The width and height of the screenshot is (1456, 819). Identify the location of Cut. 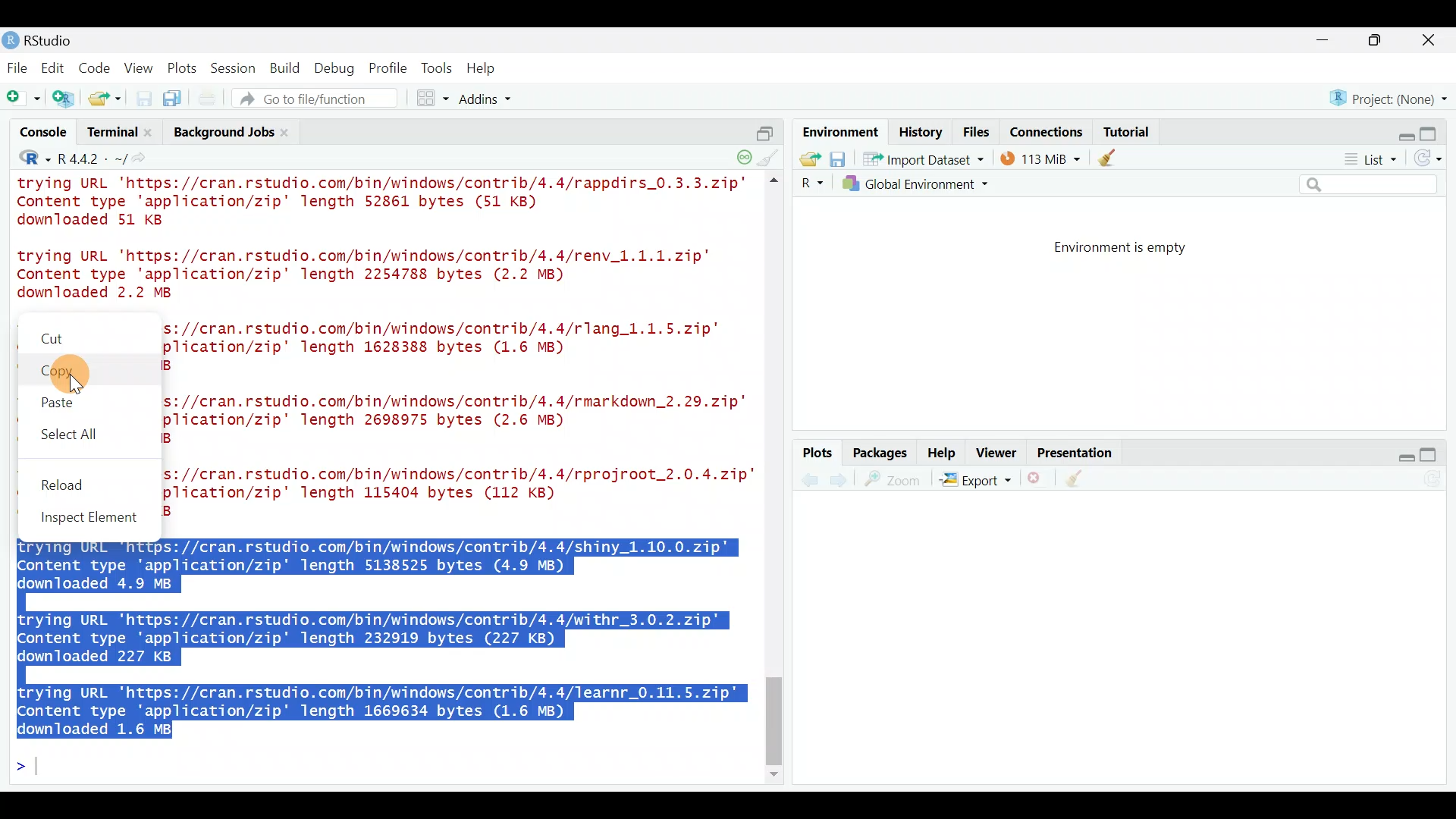
(61, 336).